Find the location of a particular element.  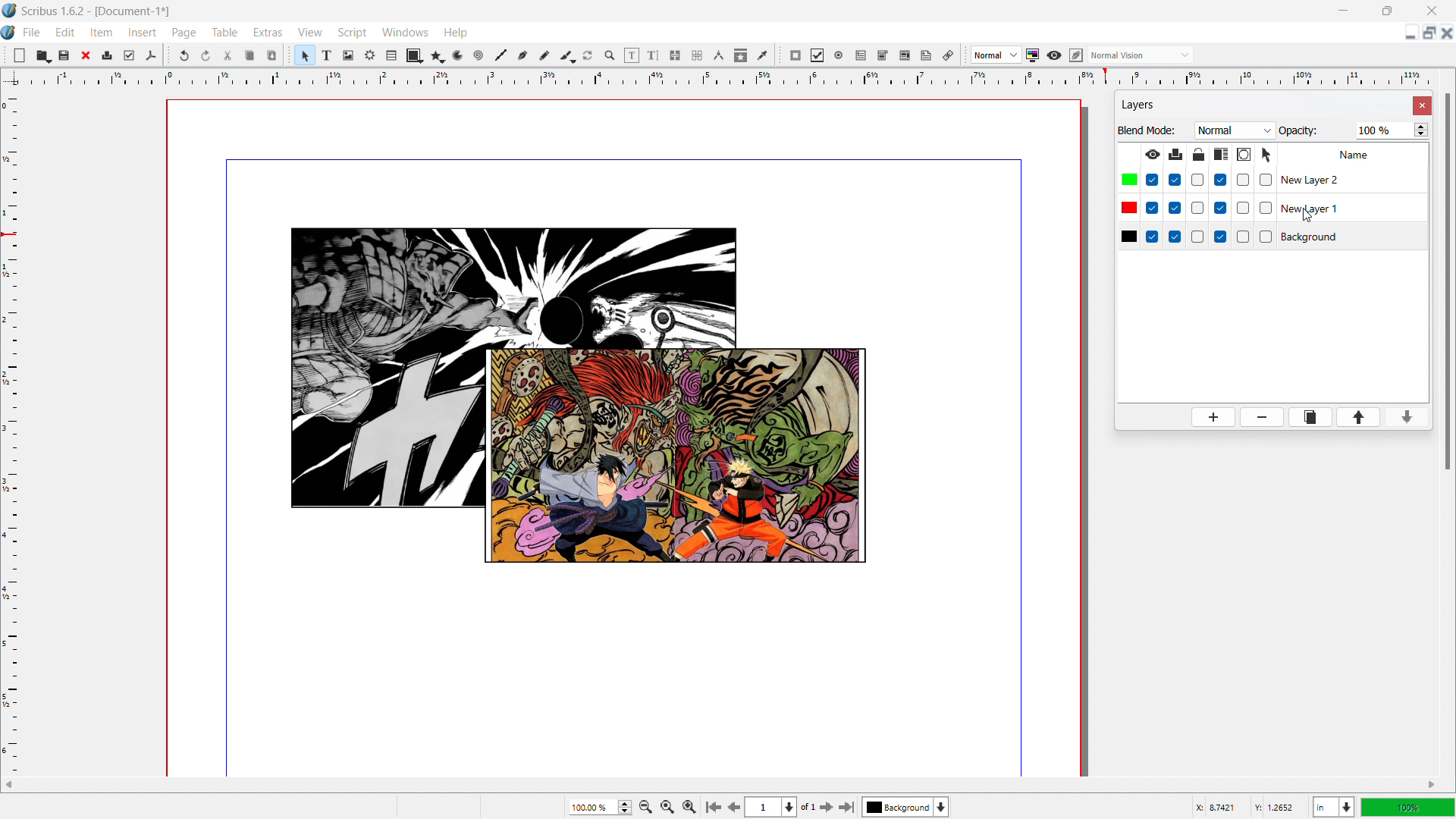

redo is located at coordinates (206, 55).